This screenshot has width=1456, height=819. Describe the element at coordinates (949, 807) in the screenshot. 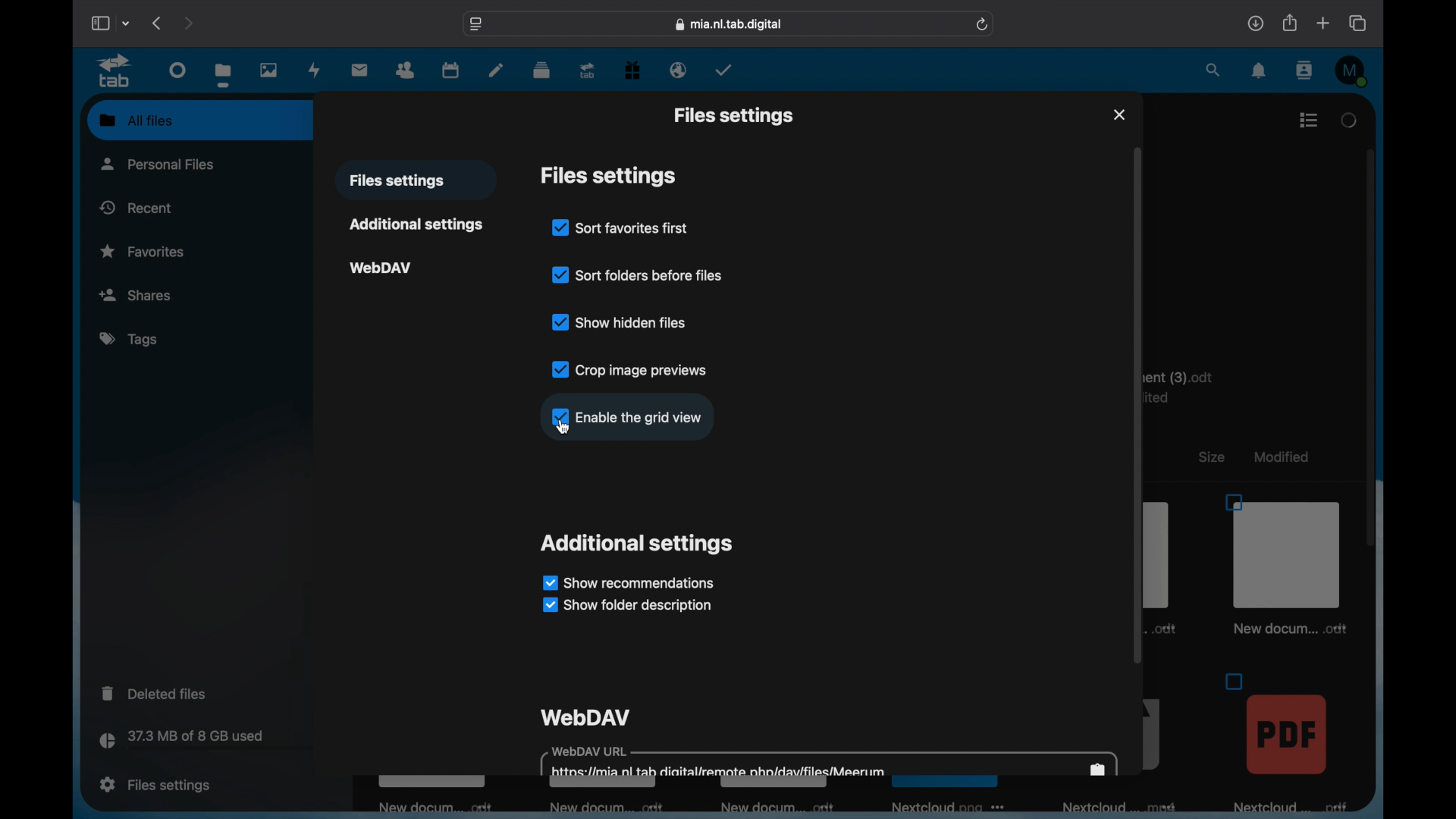

I see `next cloud` at that location.